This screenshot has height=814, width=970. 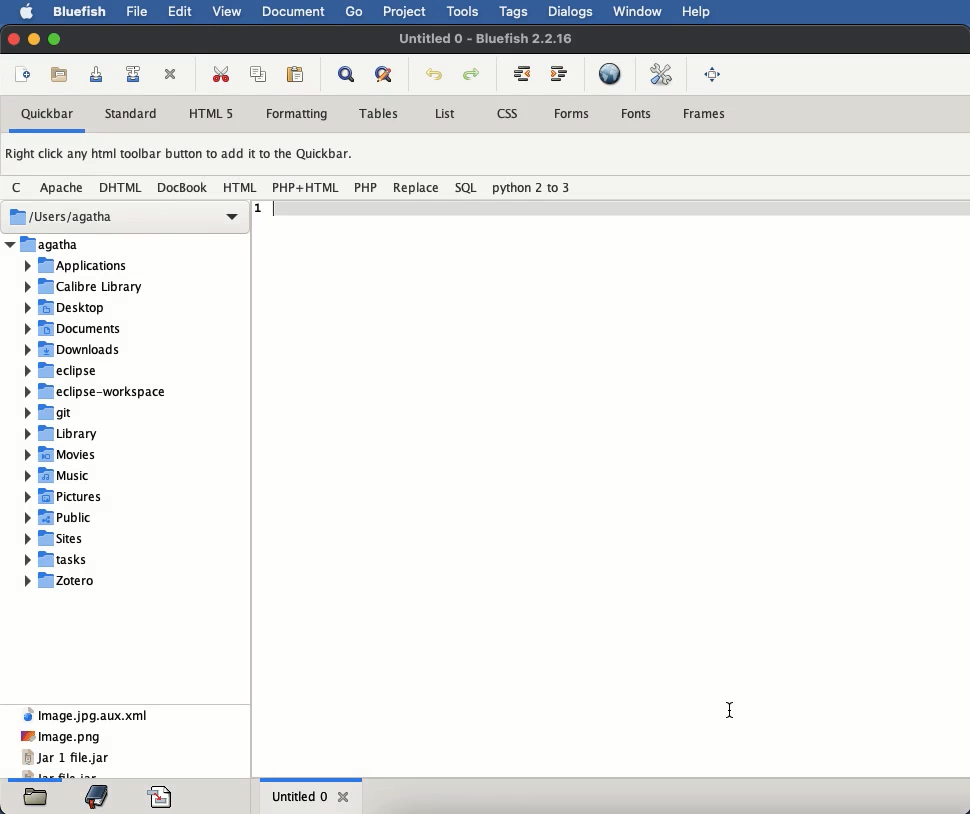 I want to click on fonts, so click(x=638, y=114).